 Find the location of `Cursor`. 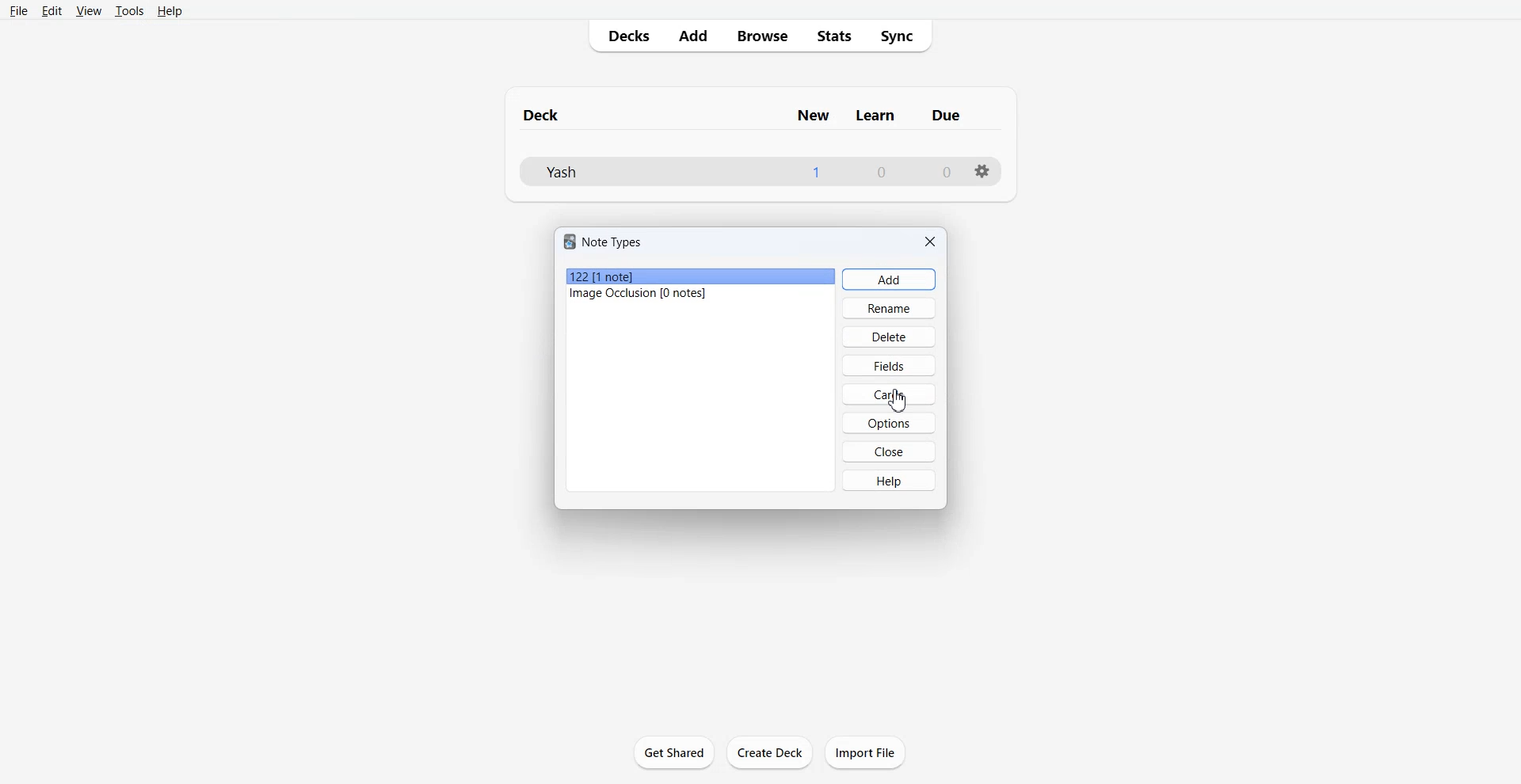

Cursor is located at coordinates (899, 403).